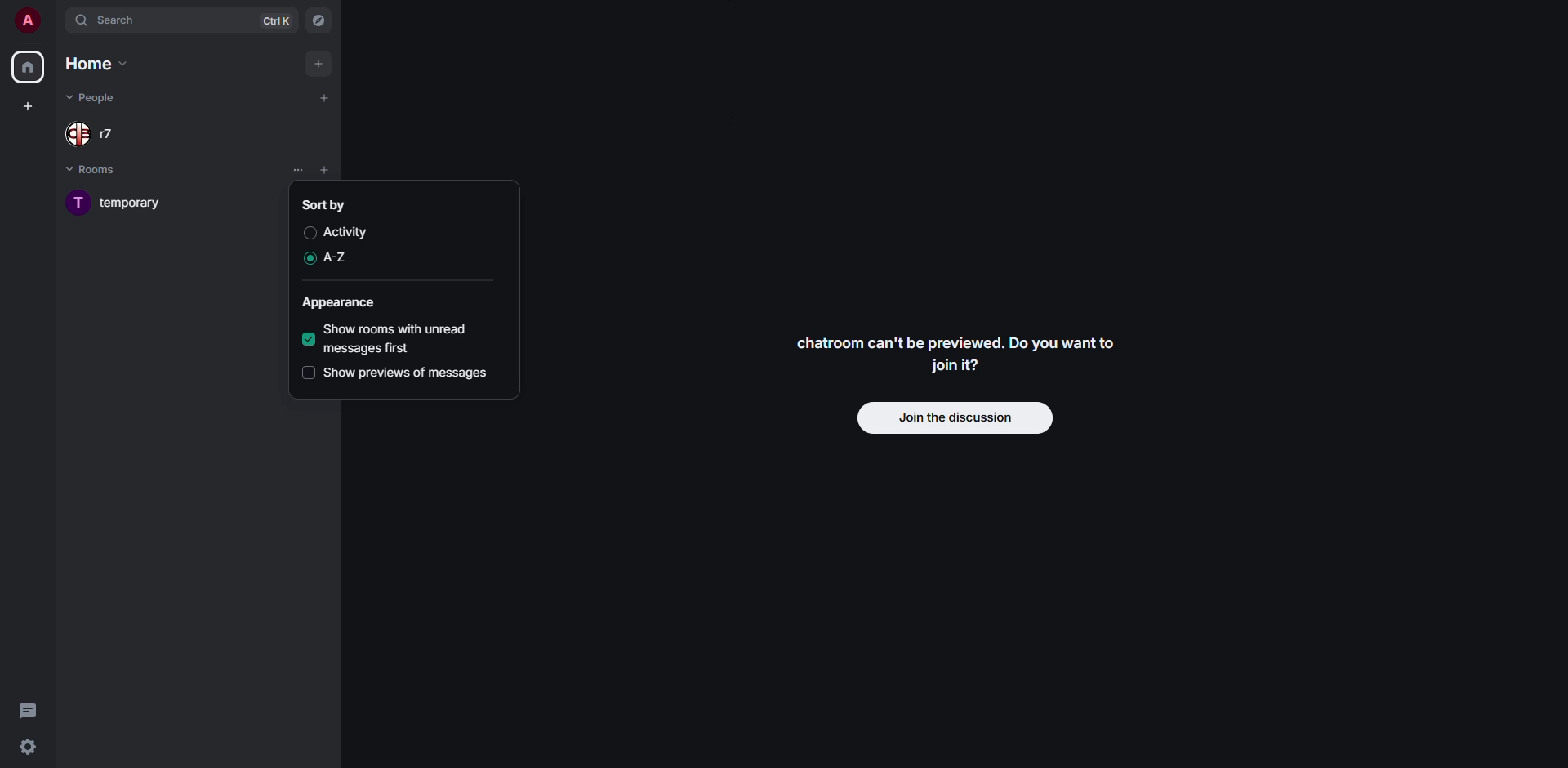 This screenshot has height=768, width=1568. I want to click on a-z, so click(339, 258).